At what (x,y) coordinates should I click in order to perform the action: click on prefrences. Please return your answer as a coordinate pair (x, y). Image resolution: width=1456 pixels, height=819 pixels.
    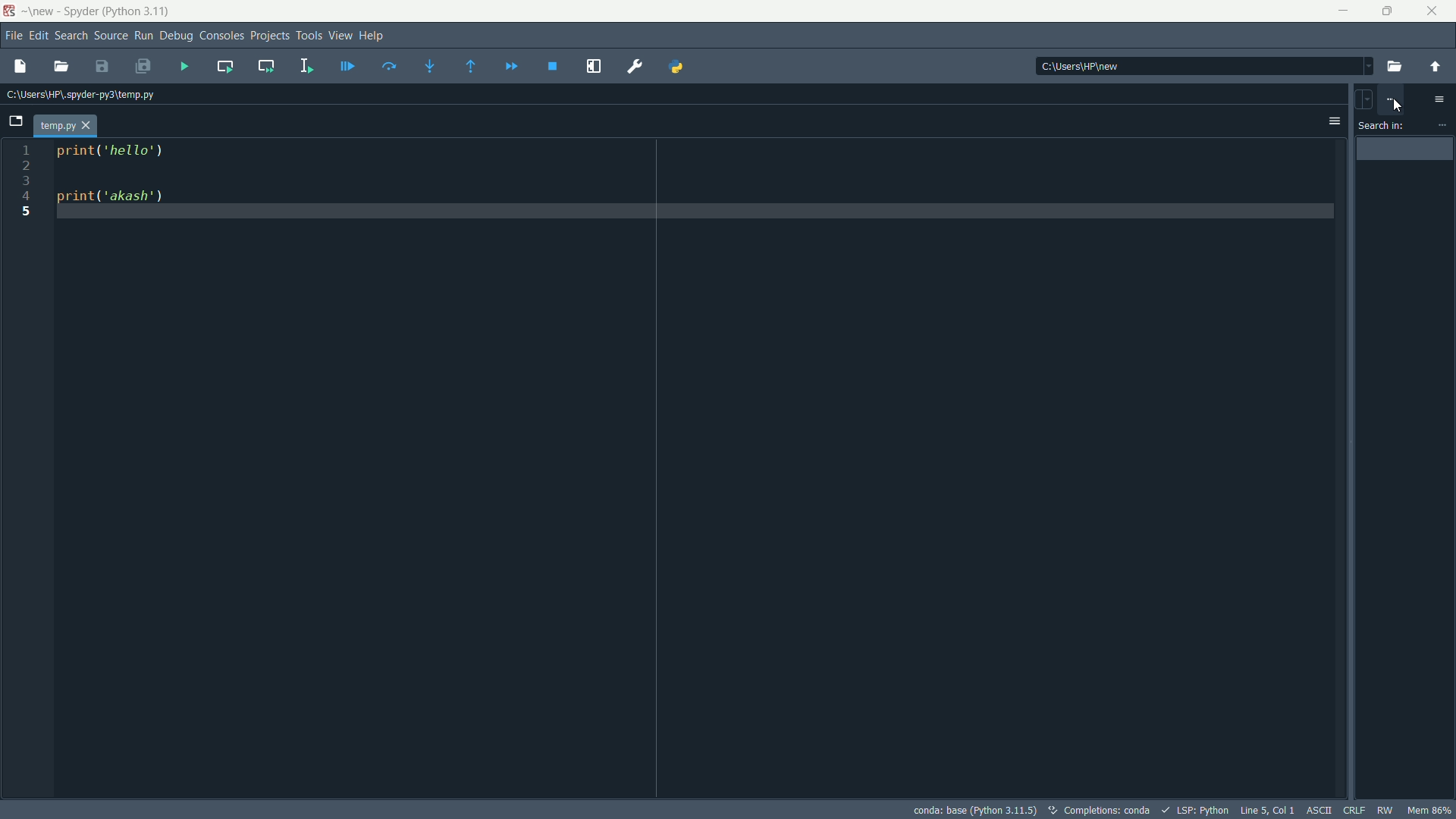
    Looking at the image, I should click on (637, 67).